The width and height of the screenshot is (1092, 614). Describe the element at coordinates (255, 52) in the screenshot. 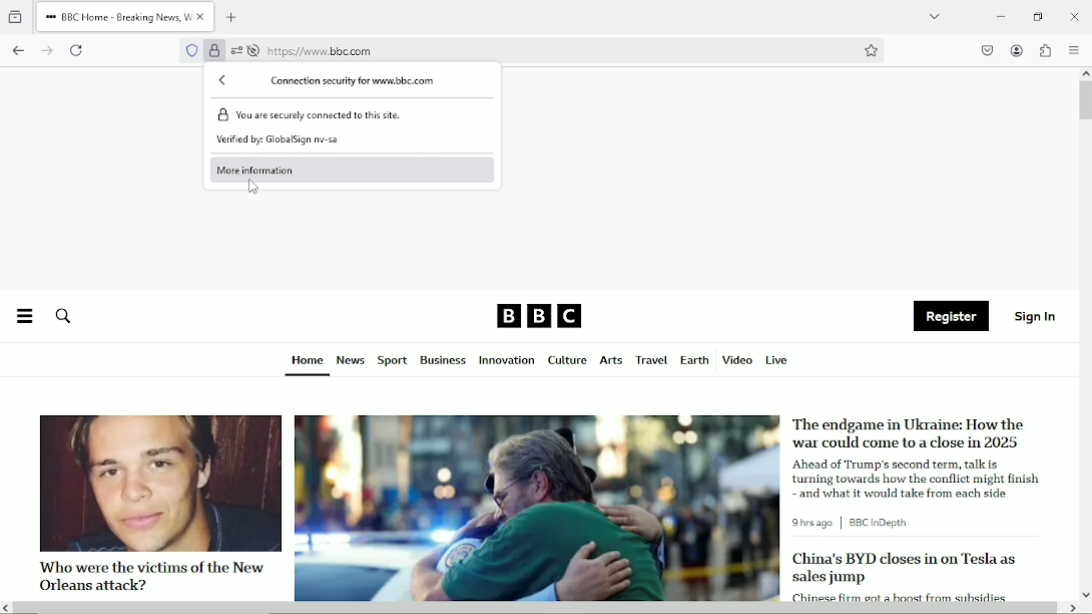

I see `autoplay is turned off` at that location.